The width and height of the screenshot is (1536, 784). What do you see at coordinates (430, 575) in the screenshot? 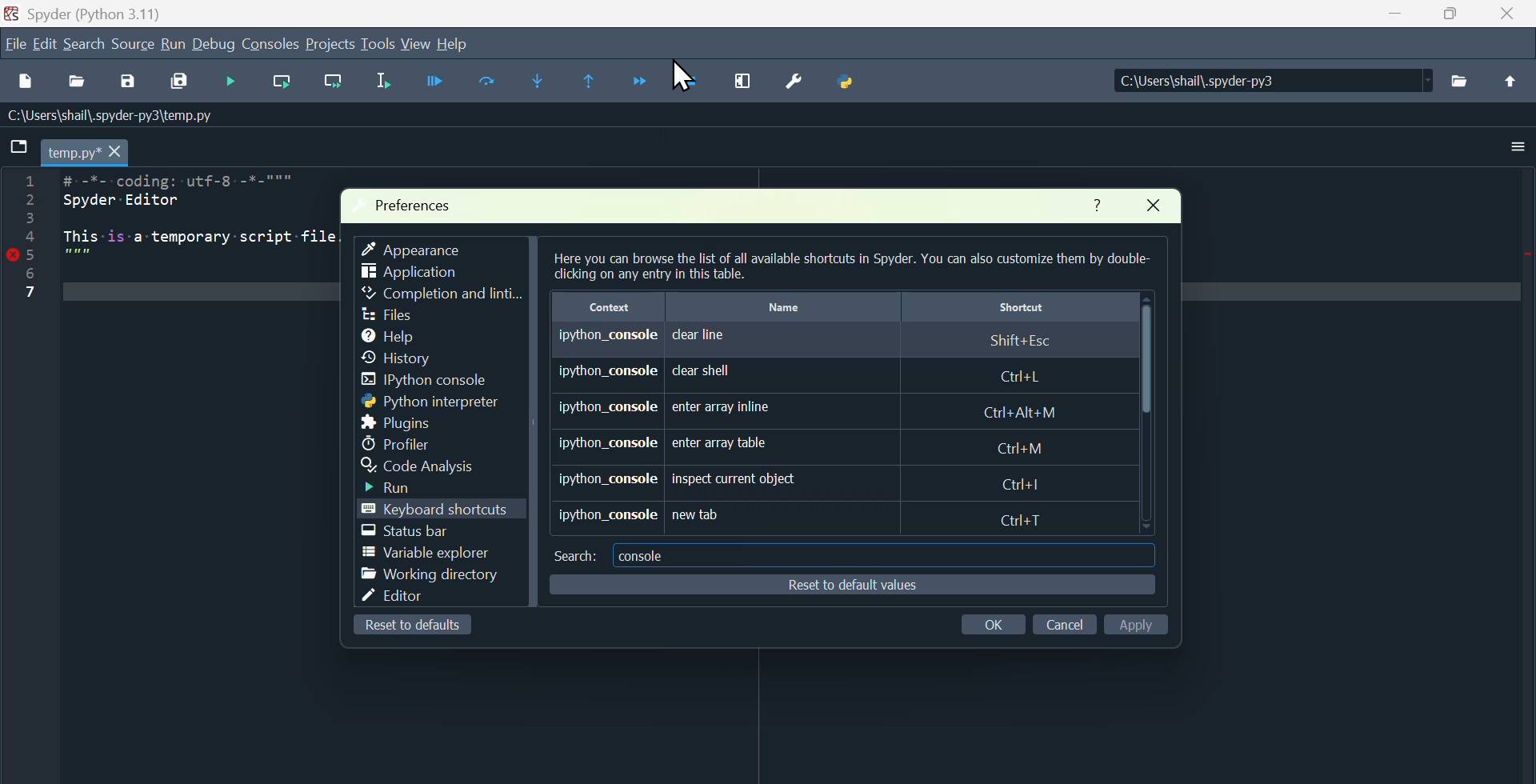
I see `Working directory` at bounding box center [430, 575].